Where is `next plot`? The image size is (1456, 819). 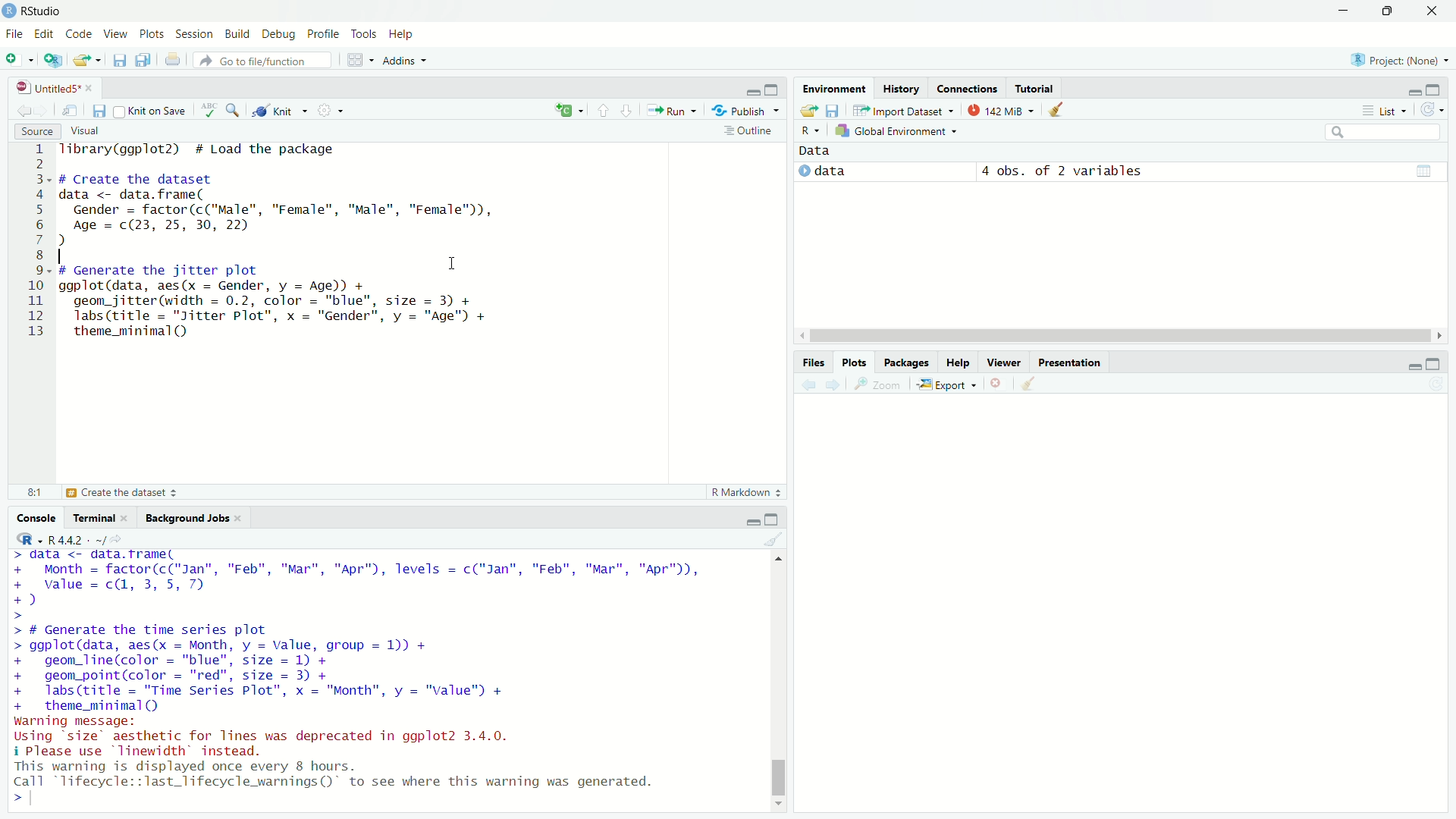 next plot is located at coordinates (835, 385).